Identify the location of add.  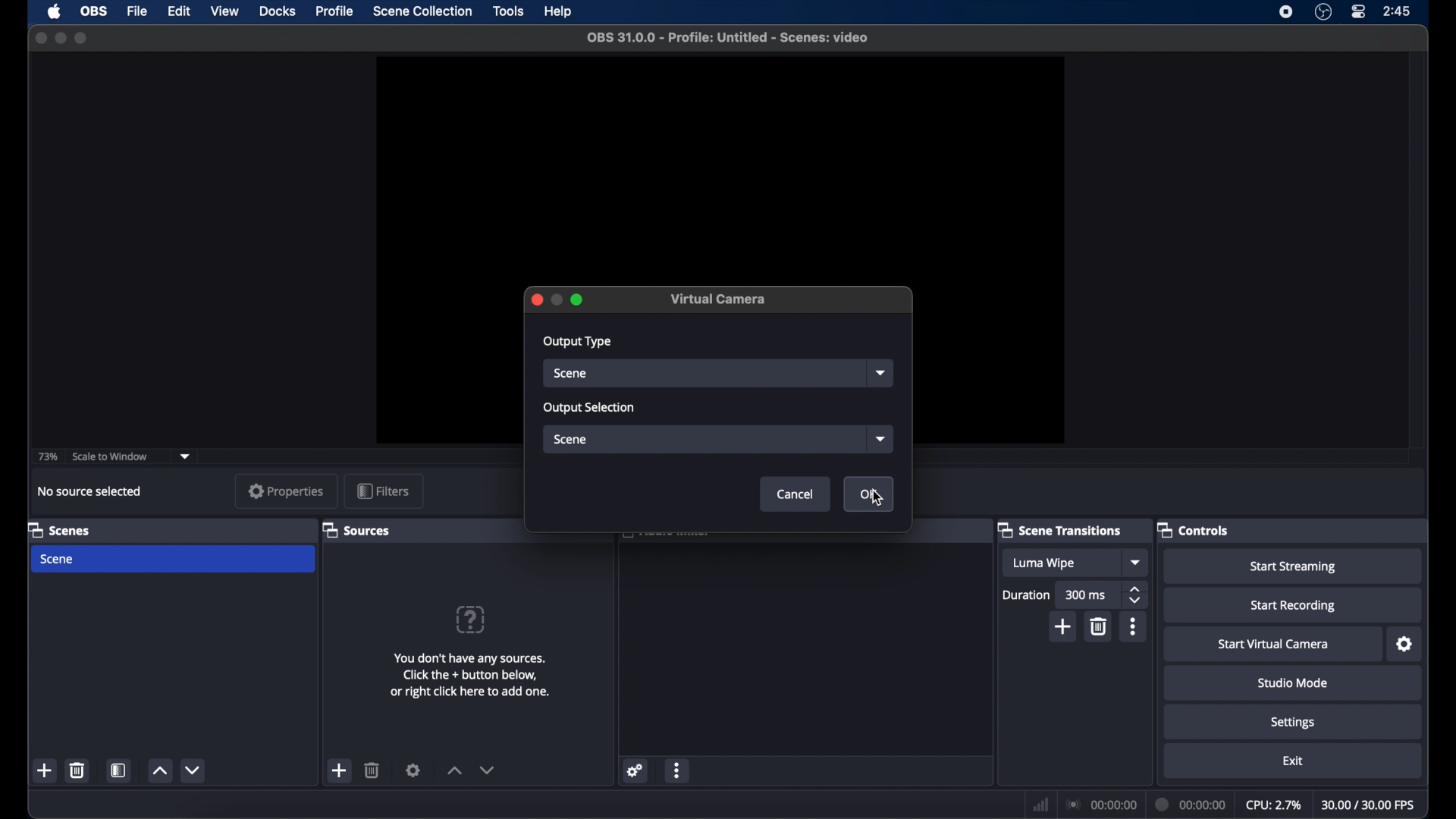
(1063, 626).